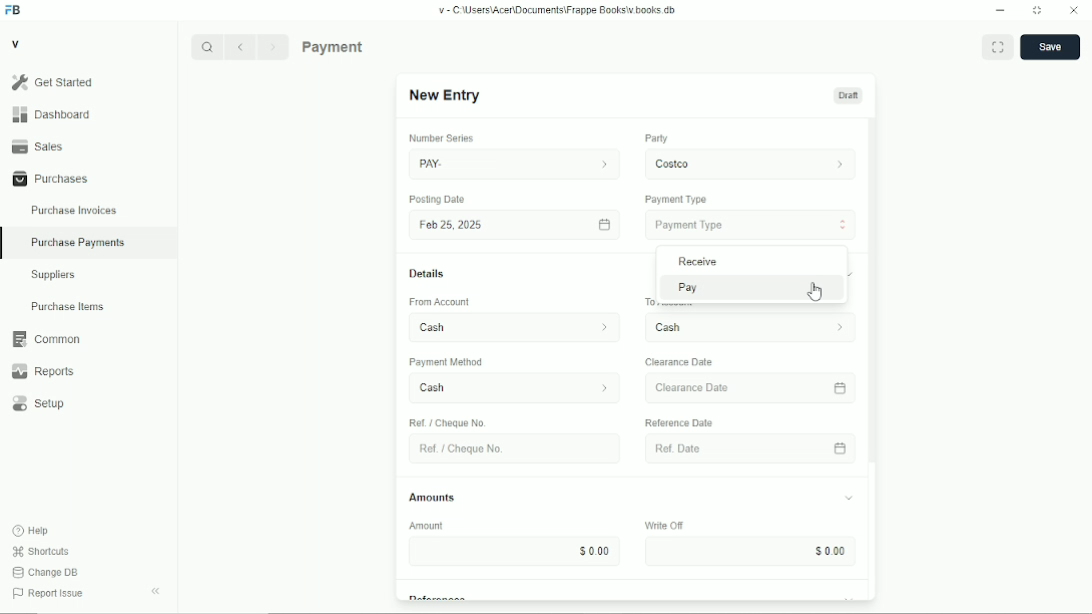 The width and height of the screenshot is (1092, 614). I want to click on Next, so click(274, 47).